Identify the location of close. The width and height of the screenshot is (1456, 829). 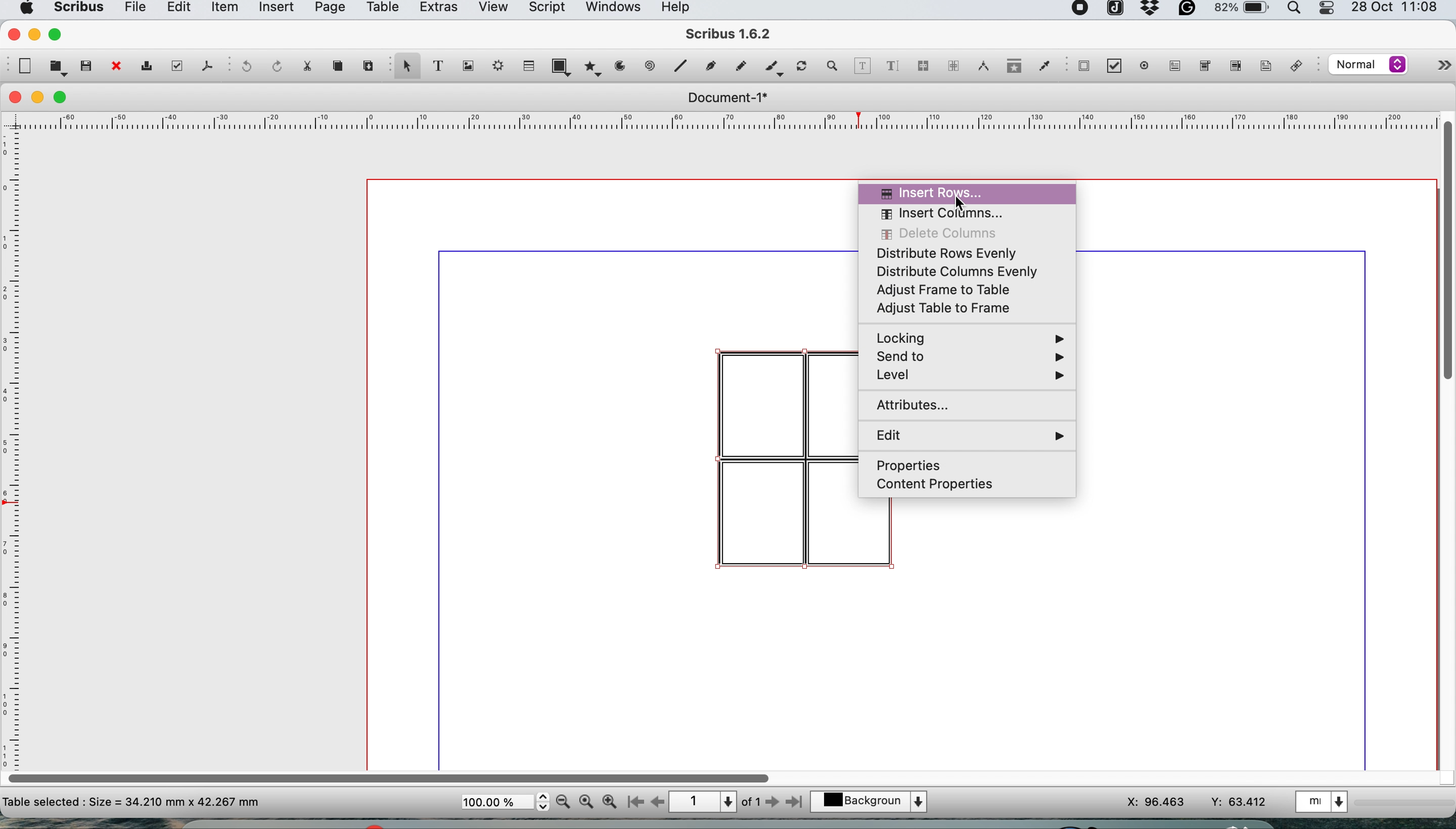
(115, 67).